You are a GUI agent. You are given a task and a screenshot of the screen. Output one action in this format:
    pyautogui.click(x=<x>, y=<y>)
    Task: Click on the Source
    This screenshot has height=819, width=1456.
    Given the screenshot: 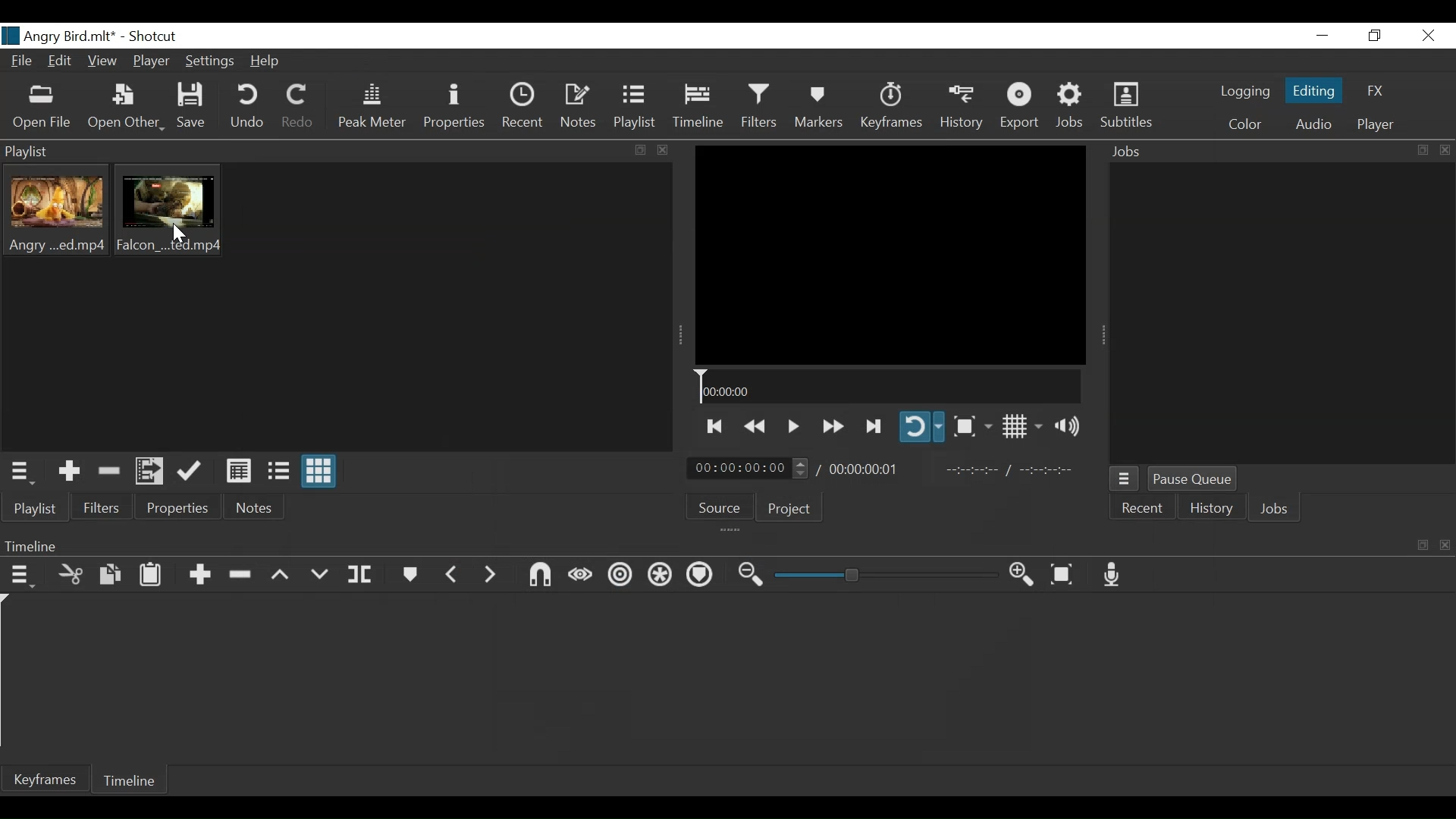 What is the action you would take?
    pyautogui.click(x=725, y=506)
    